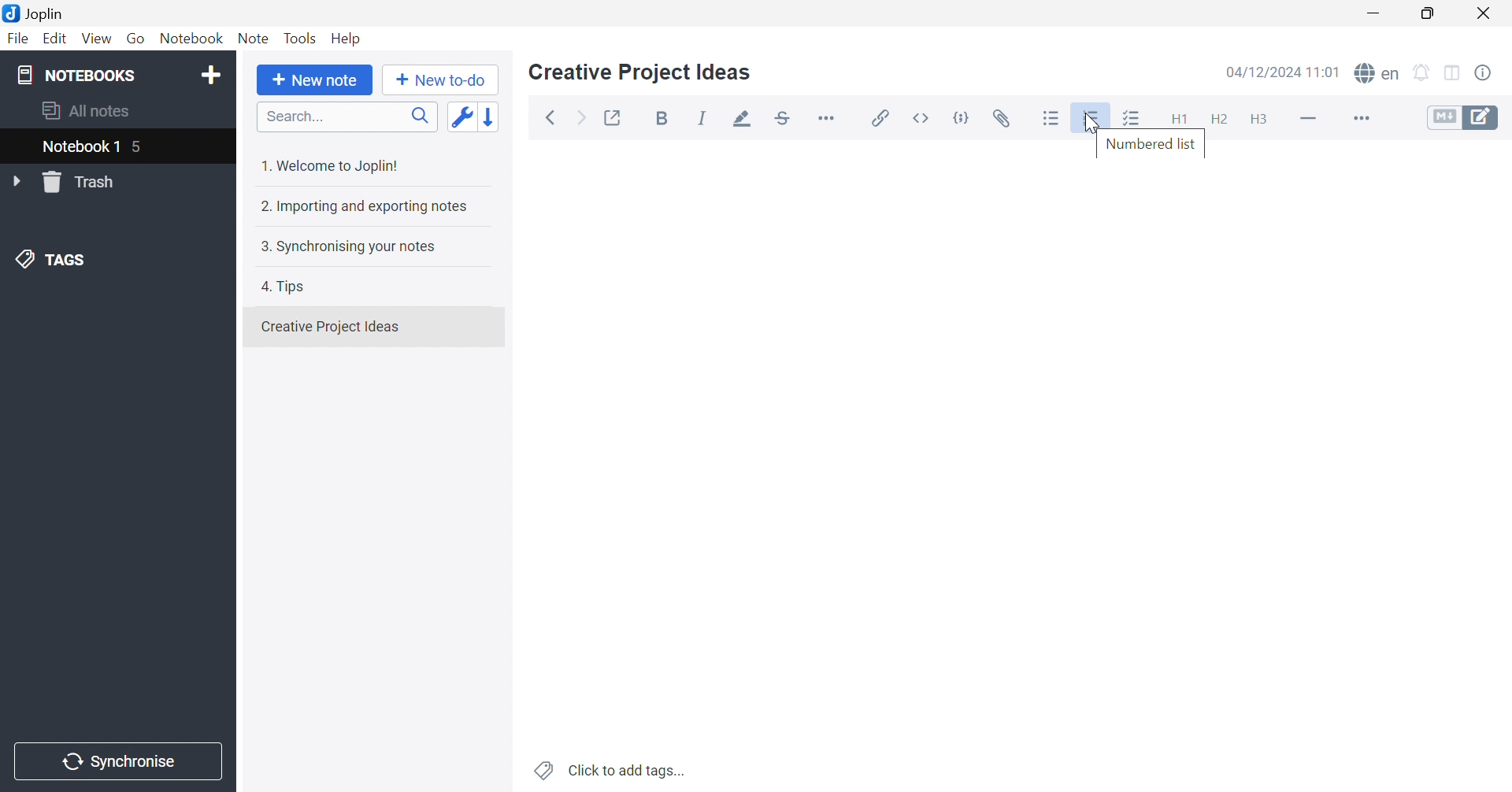 This screenshot has height=792, width=1512. Describe the element at coordinates (705, 120) in the screenshot. I see `Italic` at that location.